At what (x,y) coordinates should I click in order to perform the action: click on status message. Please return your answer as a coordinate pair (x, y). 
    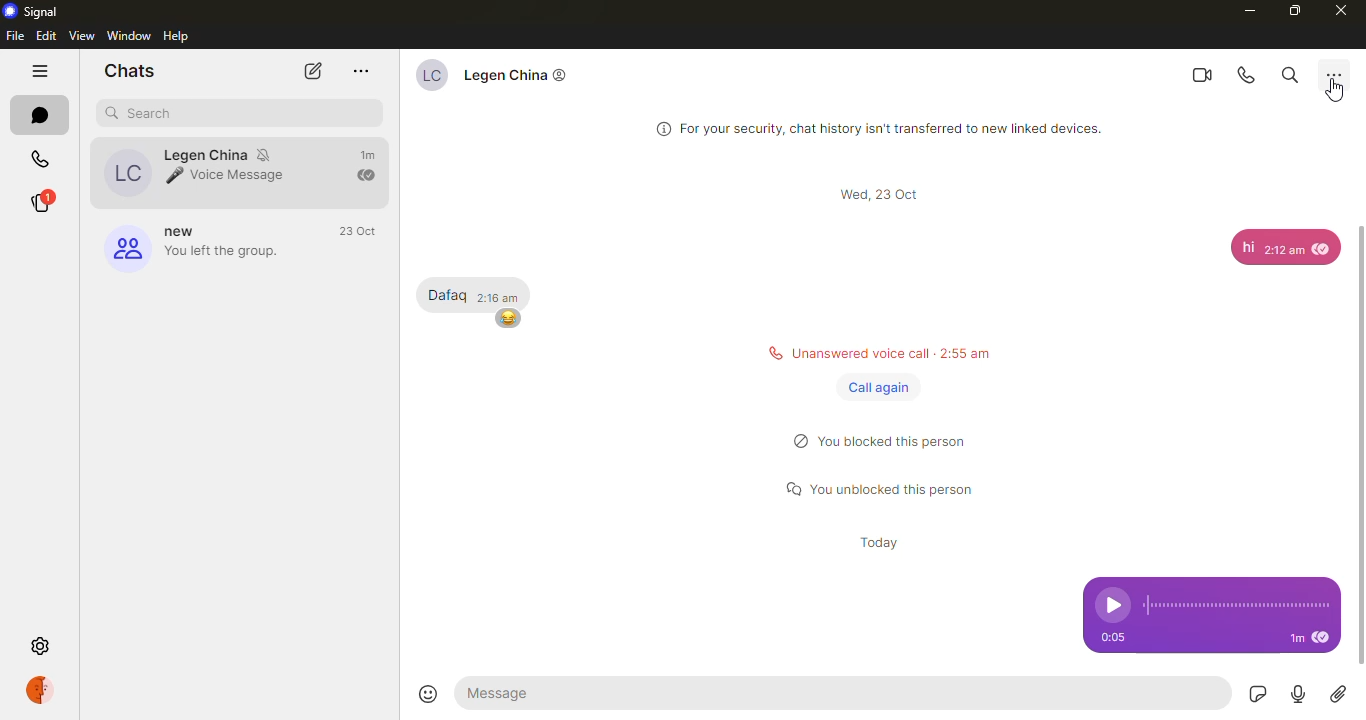
    Looking at the image, I should click on (887, 441).